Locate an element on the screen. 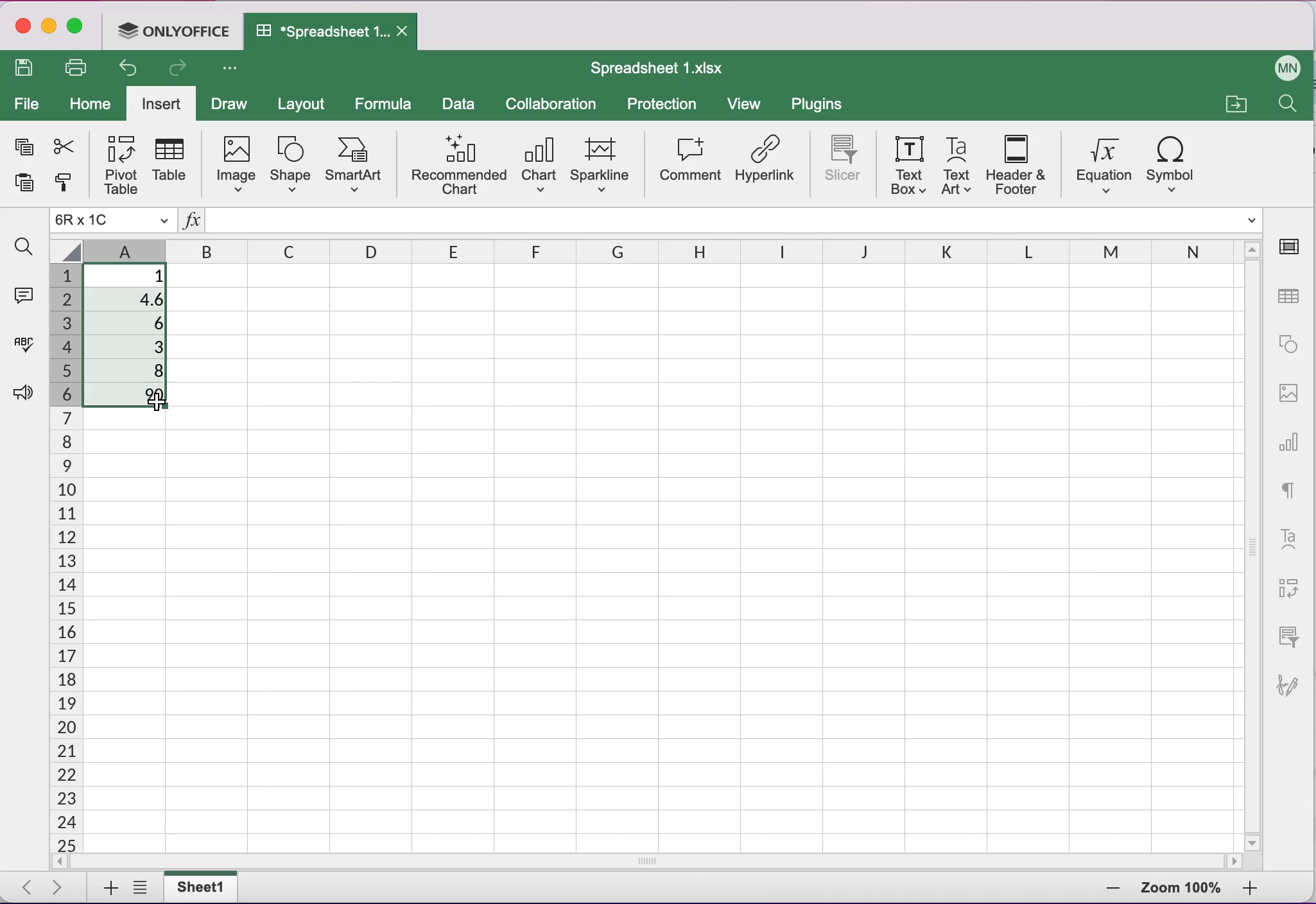 The width and height of the screenshot is (1316, 904). vertical scrollbar is located at coordinates (1251, 557).